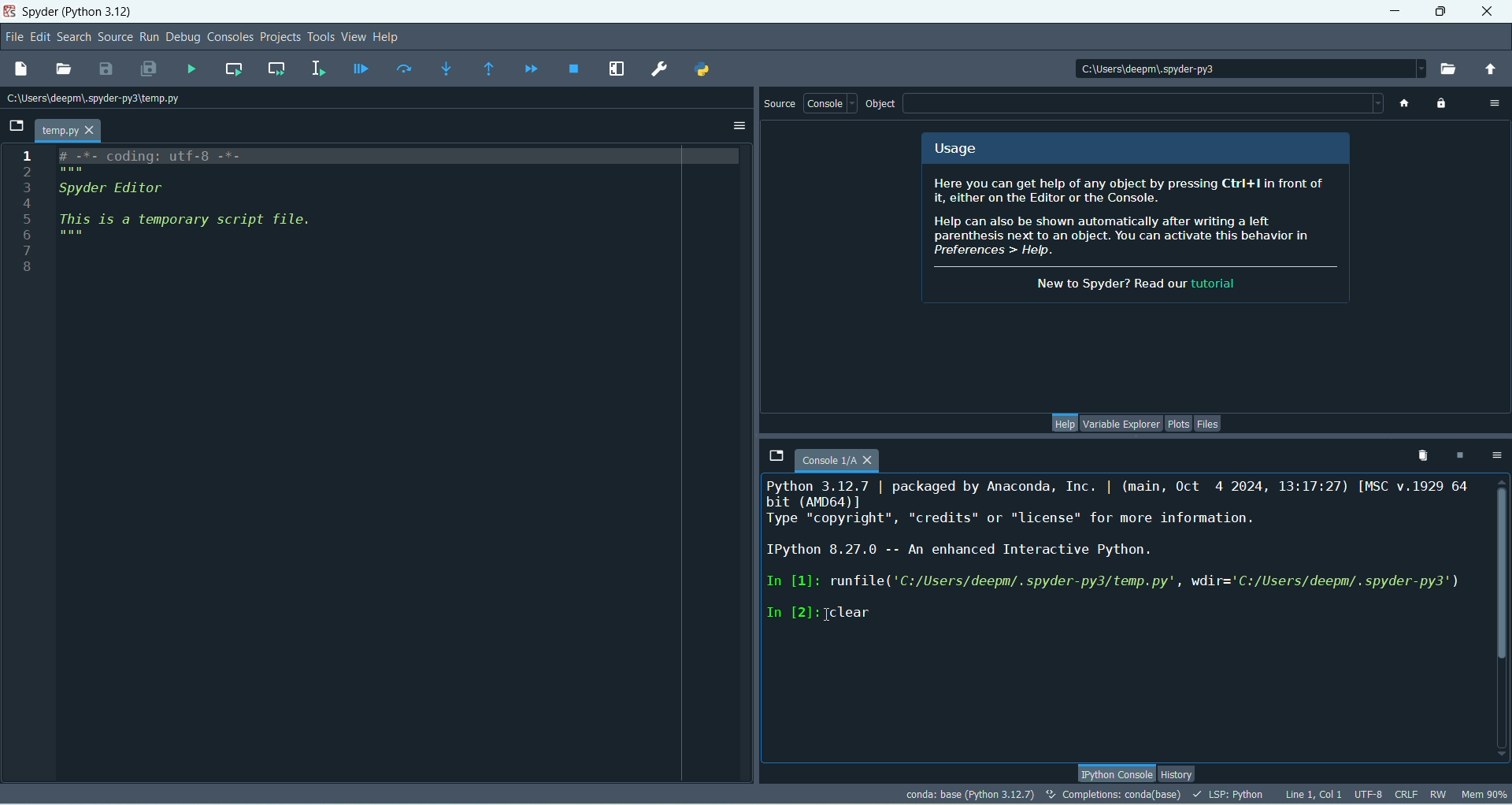 The width and height of the screenshot is (1512, 805). What do you see at coordinates (278, 39) in the screenshot?
I see `projects` at bounding box center [278, 39].